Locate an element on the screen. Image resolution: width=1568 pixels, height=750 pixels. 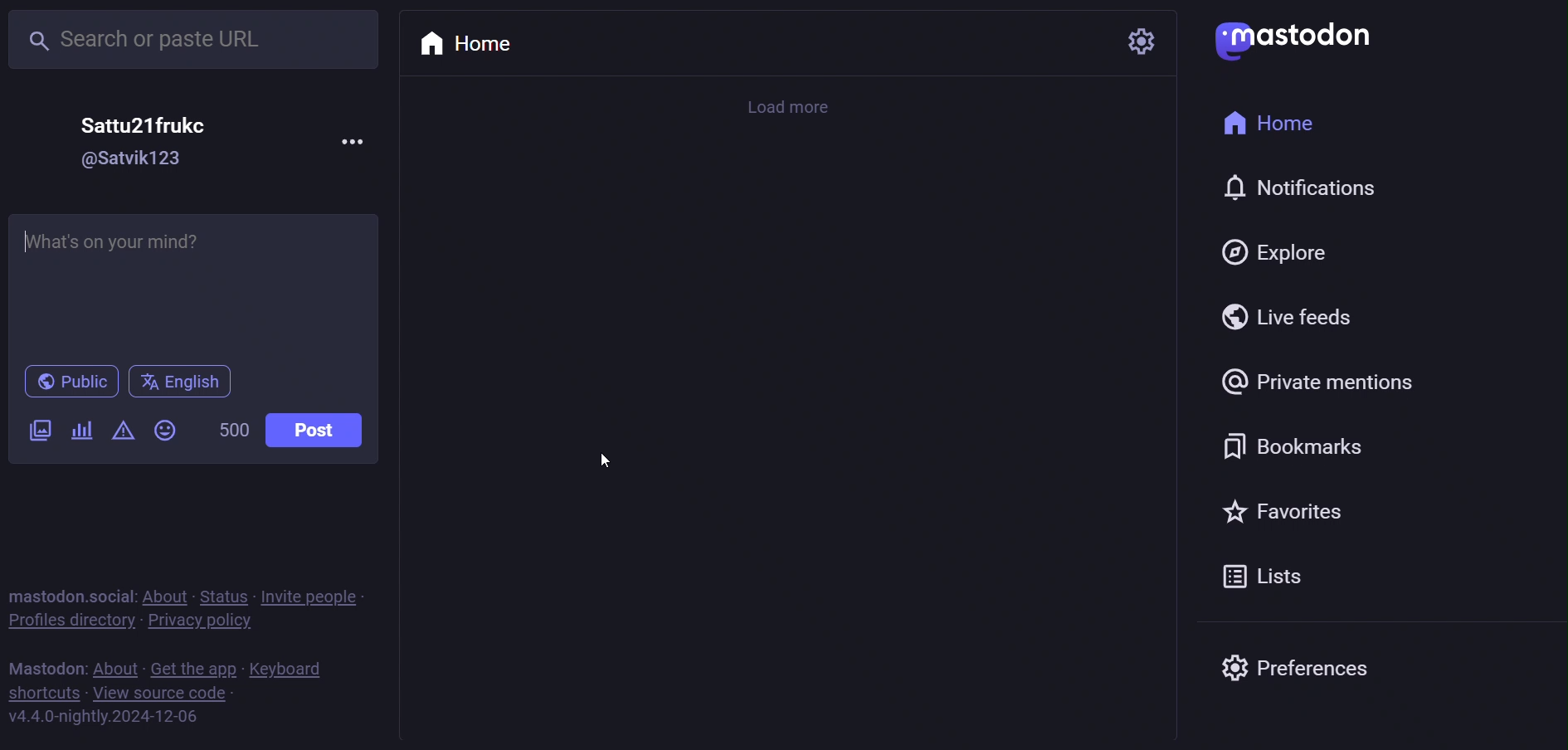
status is located at coordinates (221, 594).